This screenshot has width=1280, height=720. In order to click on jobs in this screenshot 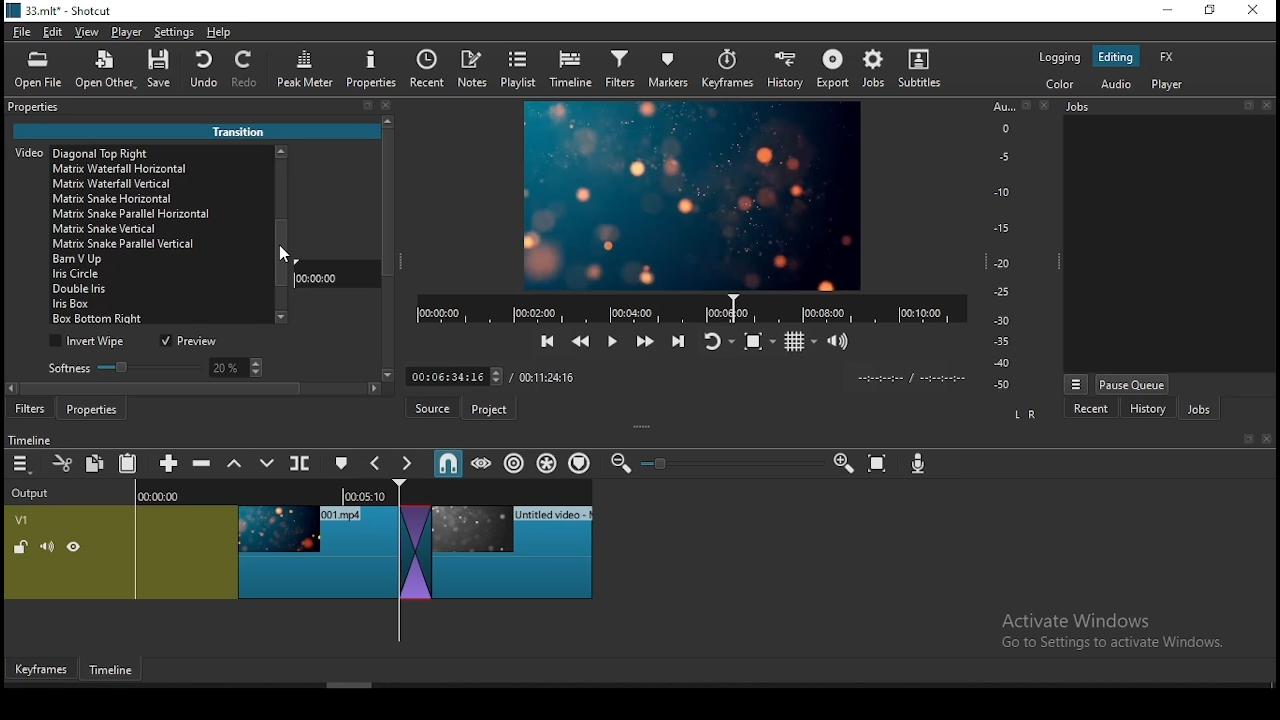, I will do `click(1198, 411)`.